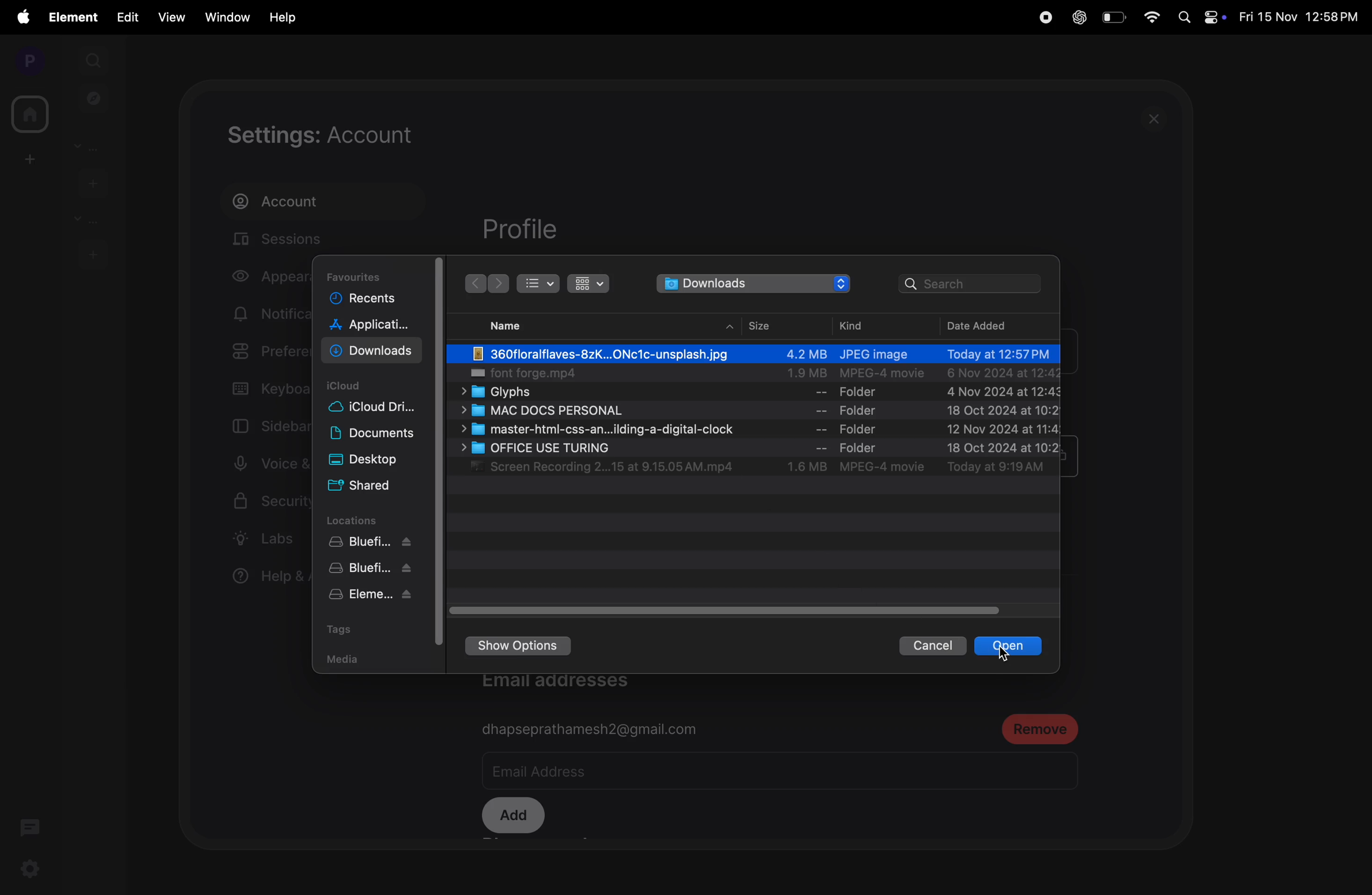 The width and height of the screenshot is (1372, 895). What do you see at coordinates (84, 220) in the screenshot?
I see `rooms` at bounding box center [84, 220].